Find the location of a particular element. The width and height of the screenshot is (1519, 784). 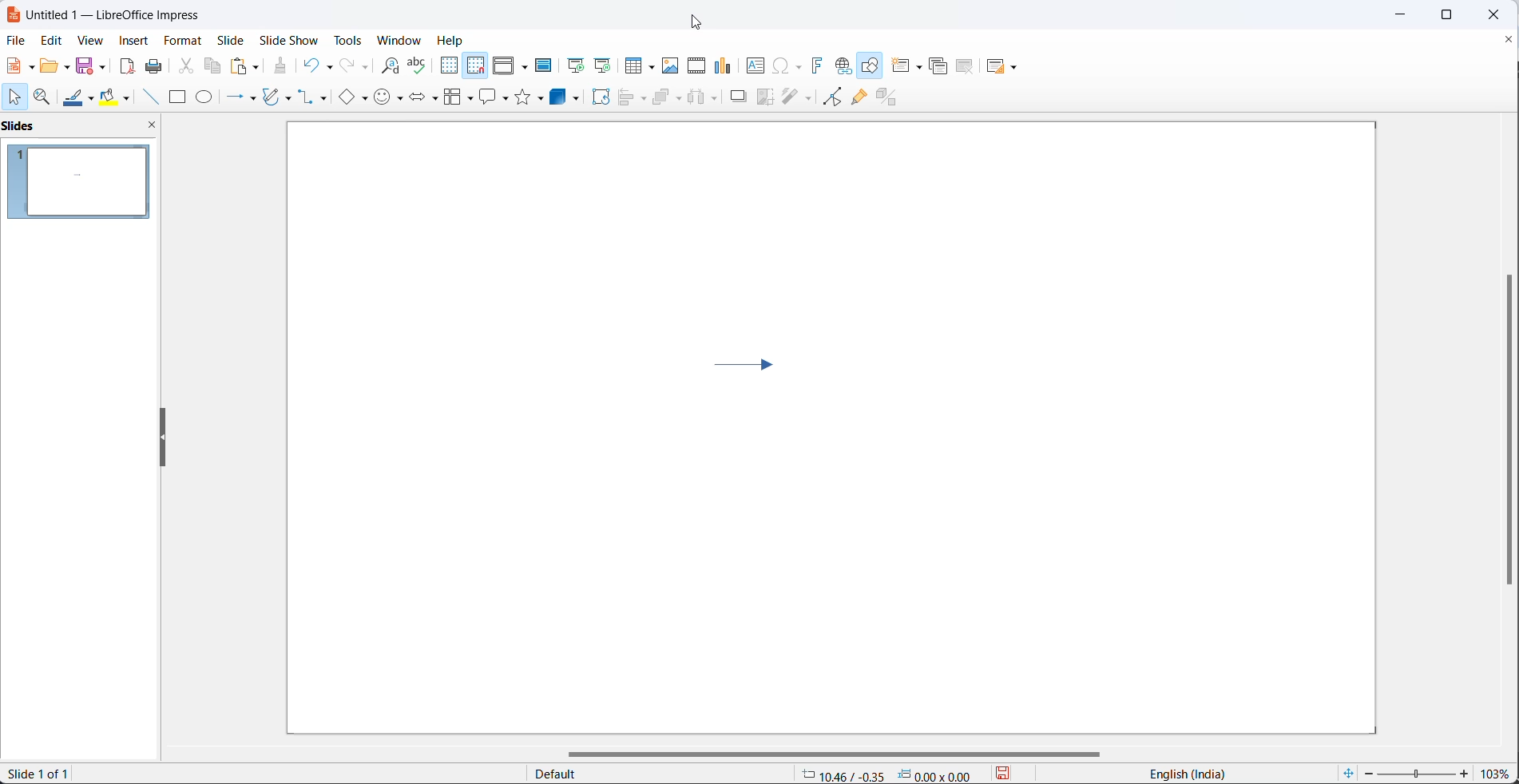

spellings is located at coordinates (418, 65).